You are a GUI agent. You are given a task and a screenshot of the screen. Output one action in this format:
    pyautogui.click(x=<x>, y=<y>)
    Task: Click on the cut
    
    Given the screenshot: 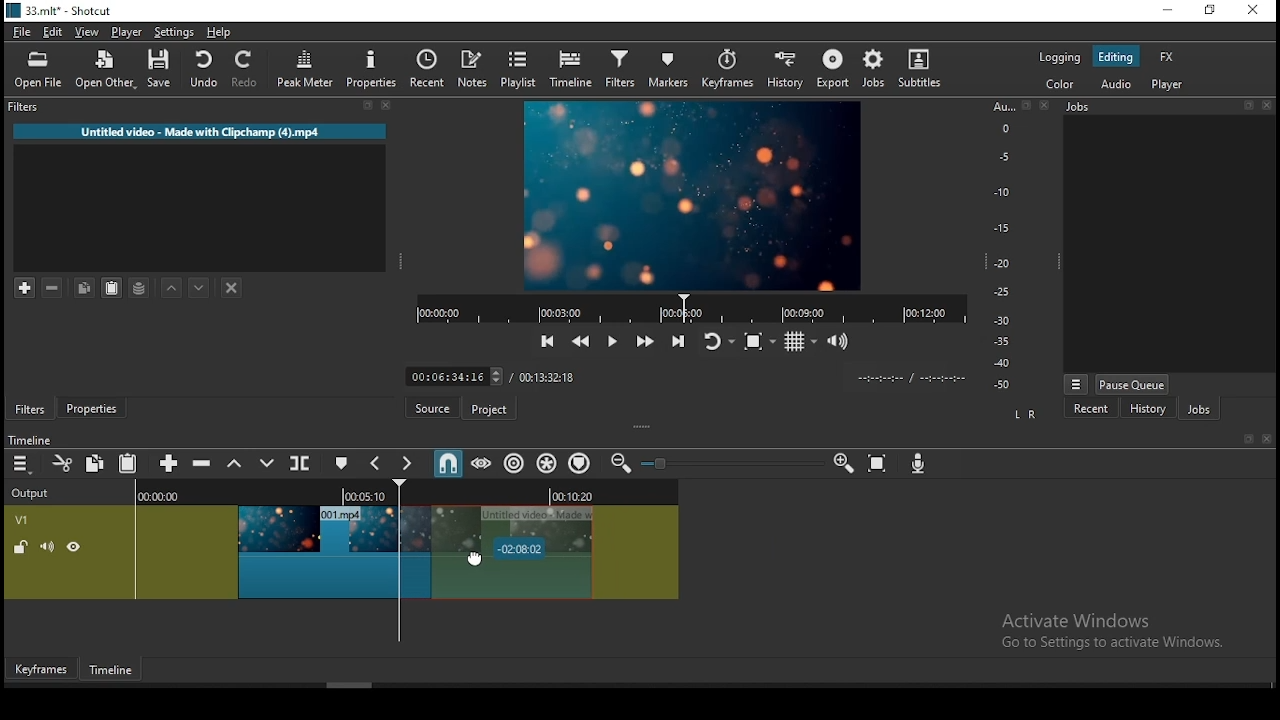 What is the action you would take?
    pyautogui.click(x=63, y=463)
    